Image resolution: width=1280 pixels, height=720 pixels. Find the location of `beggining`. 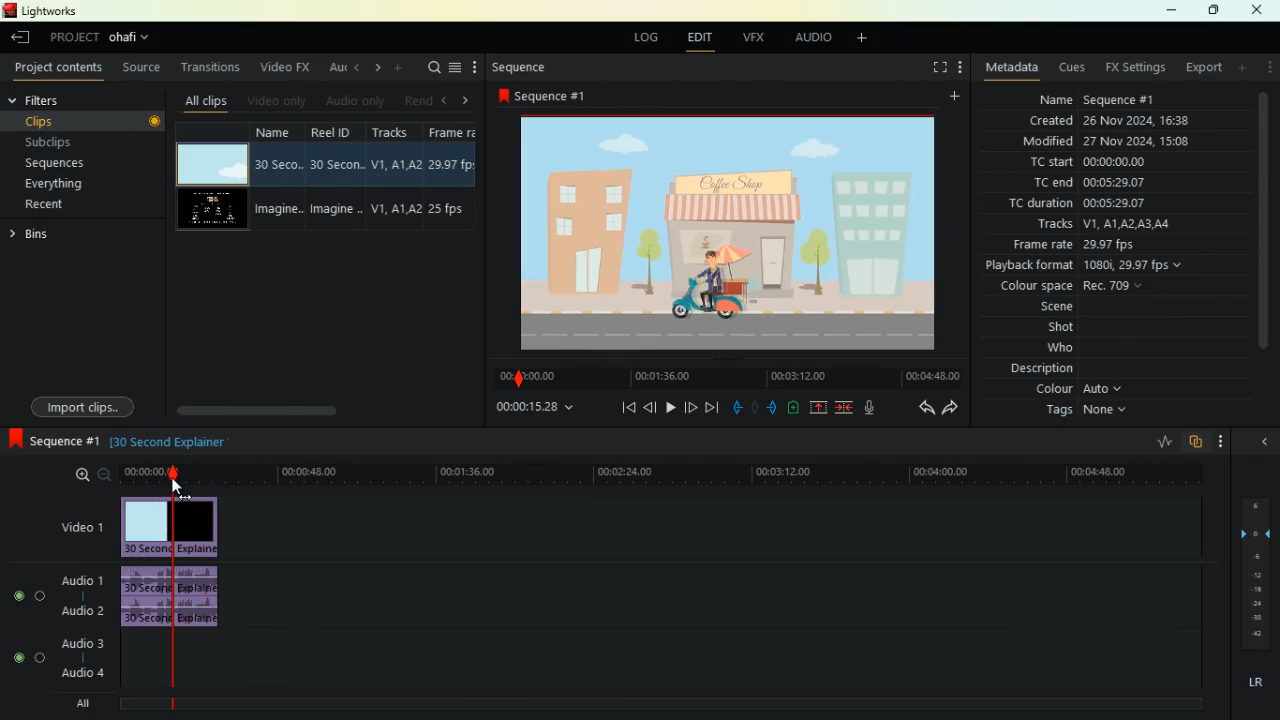

beggining is located at coordinates (619, 408).